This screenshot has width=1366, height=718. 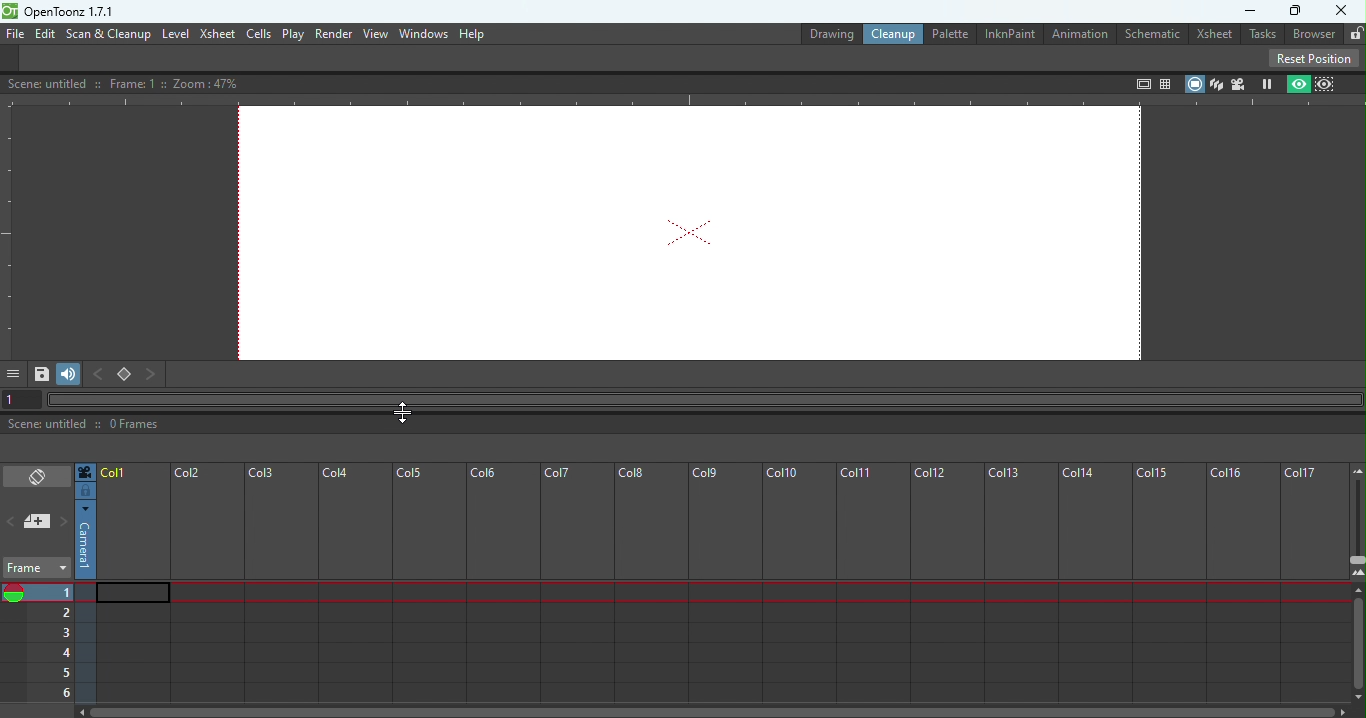 I want to click on Canvas details, so click(x=127, y=82).